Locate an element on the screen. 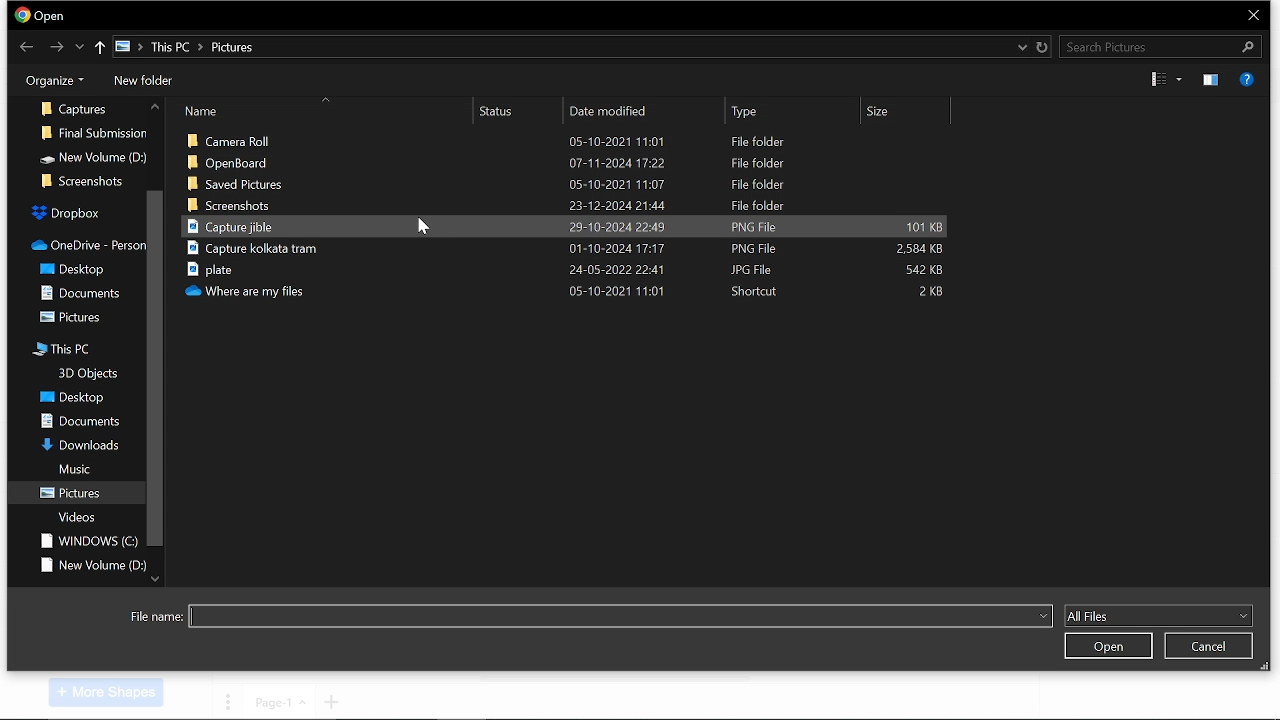 The width and height of the screenshot is (1280, 720). folders is located at coordinates (63, 210).